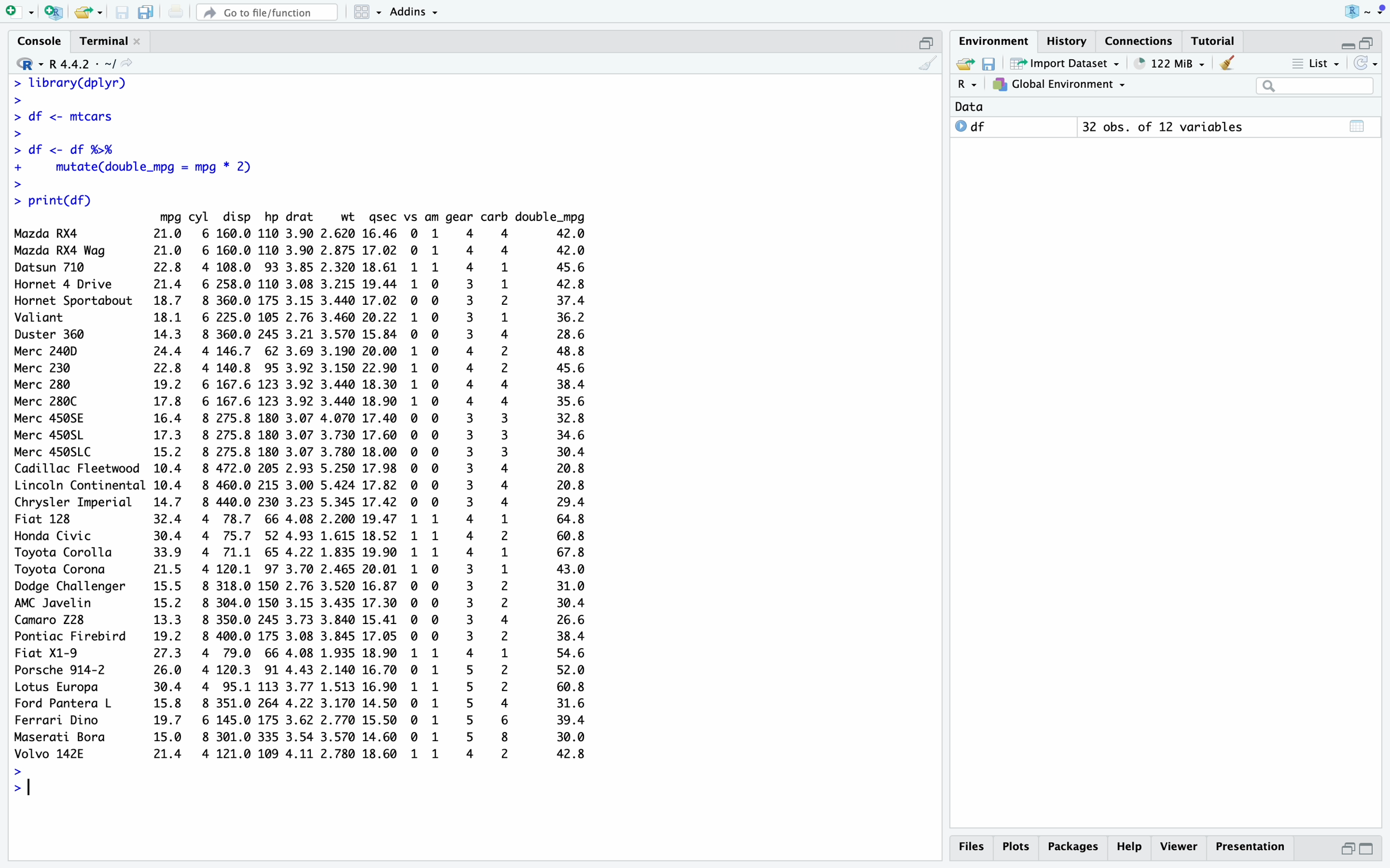 The width and height of the screenshot is (1390, 868). I want to click on clean, so click(1228, 63).